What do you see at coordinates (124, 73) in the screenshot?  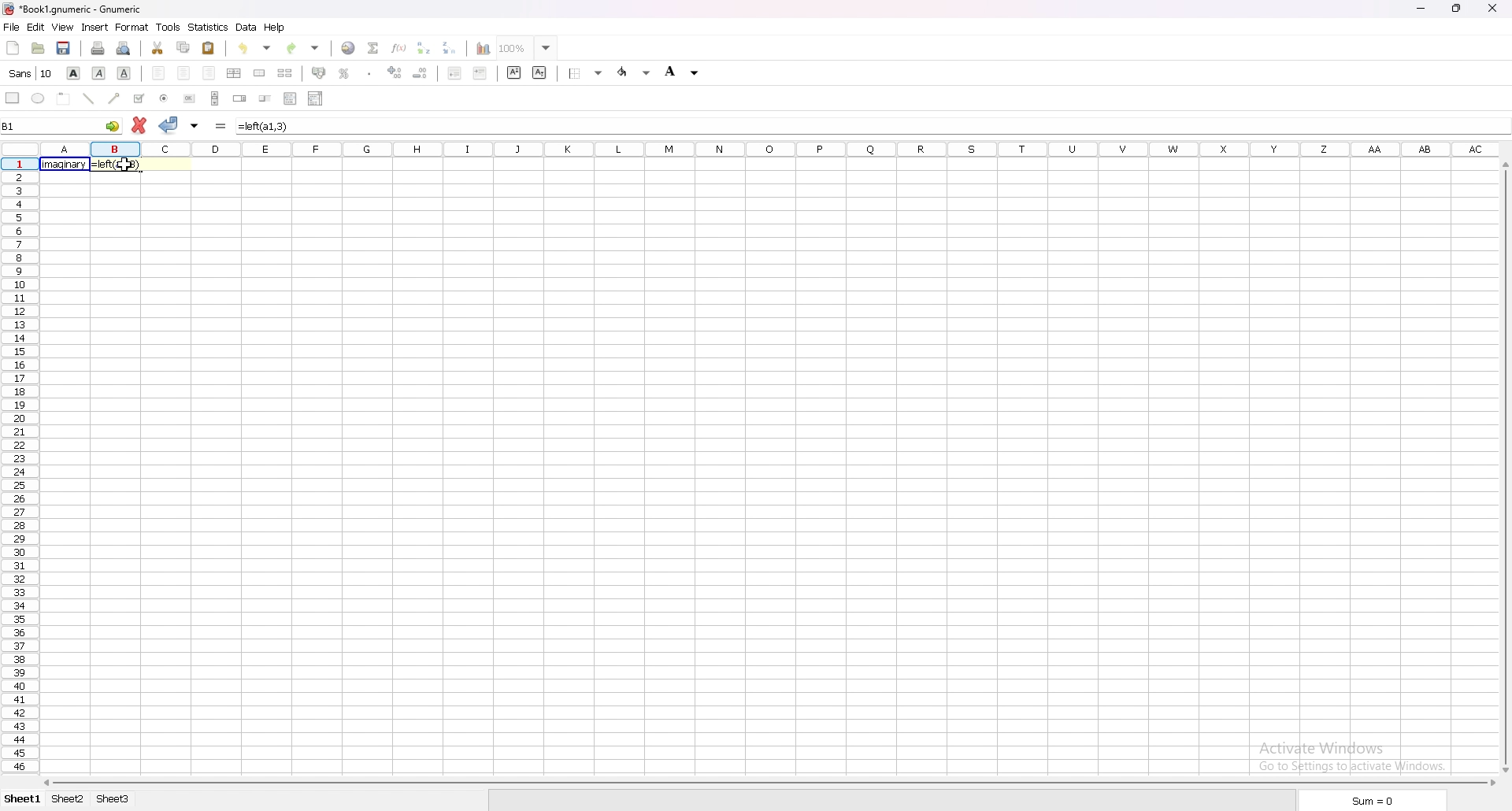 I see `underline` at bounding box center [124, 73].